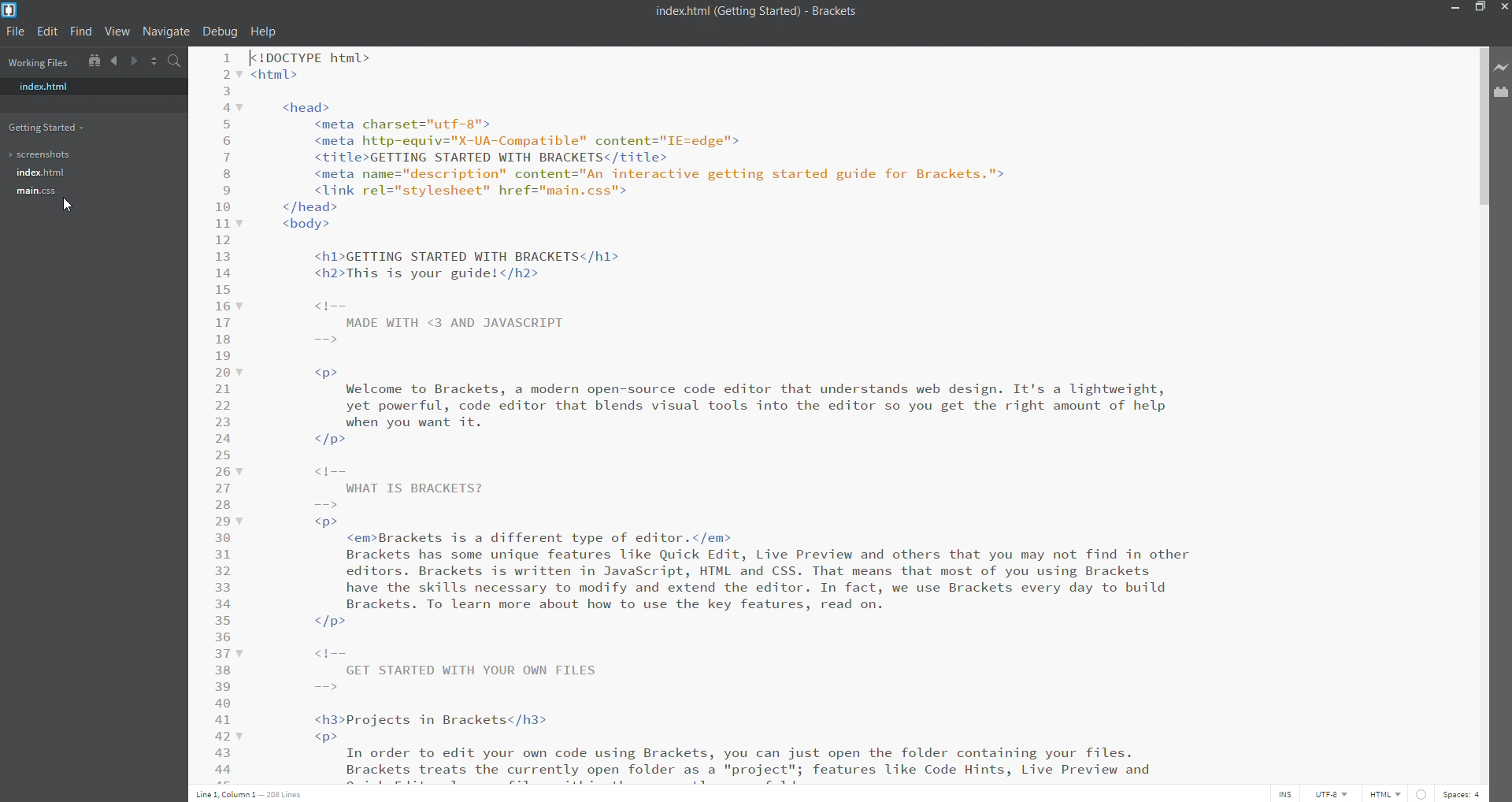 The width and height of the screenshot is (1512, 802). Describe the element at coordinates (1502, 94) in the screenshot. I see `extension manager` at that location.